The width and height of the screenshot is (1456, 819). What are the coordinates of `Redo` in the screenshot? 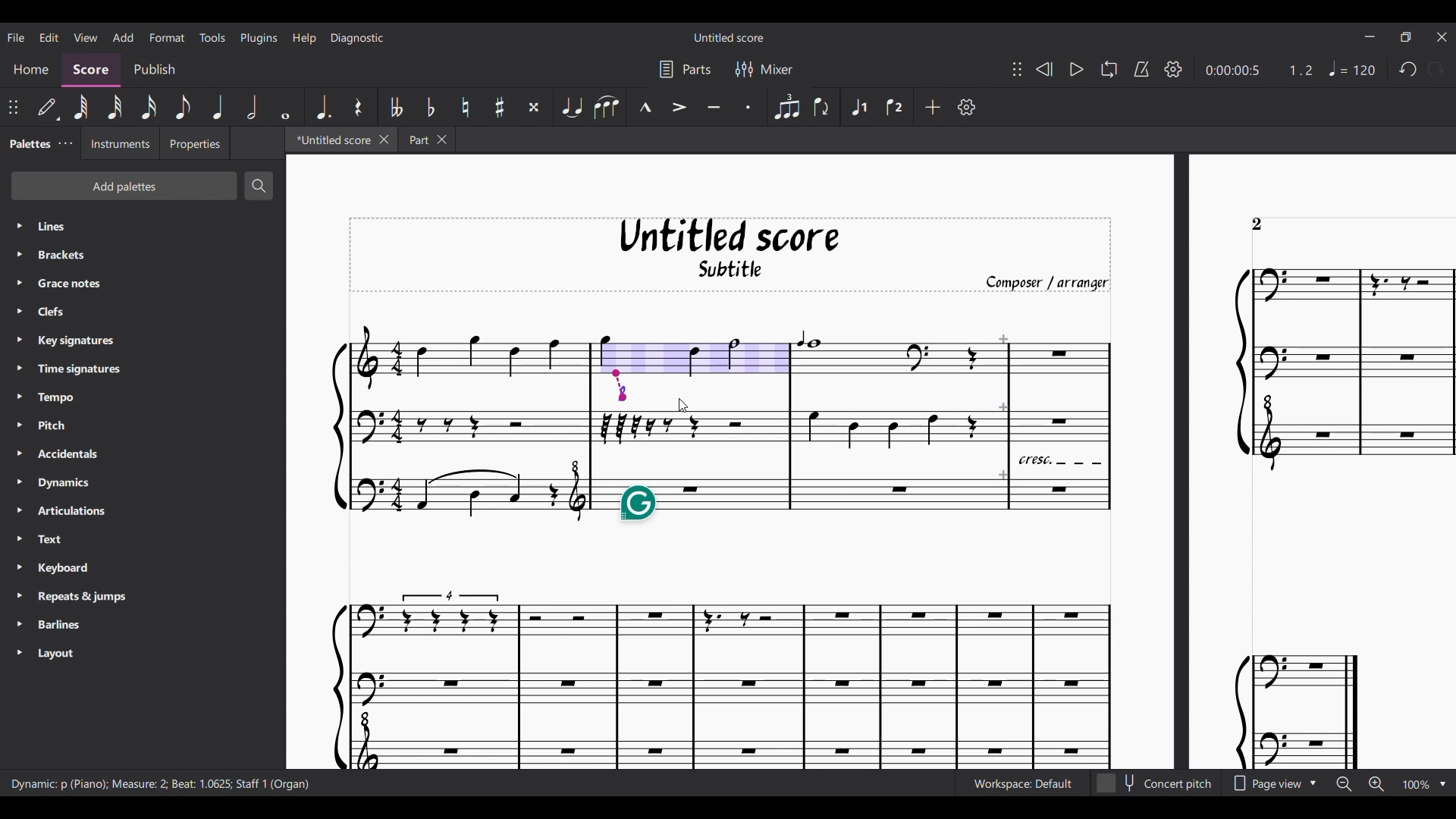 It's located at (1436, 69).